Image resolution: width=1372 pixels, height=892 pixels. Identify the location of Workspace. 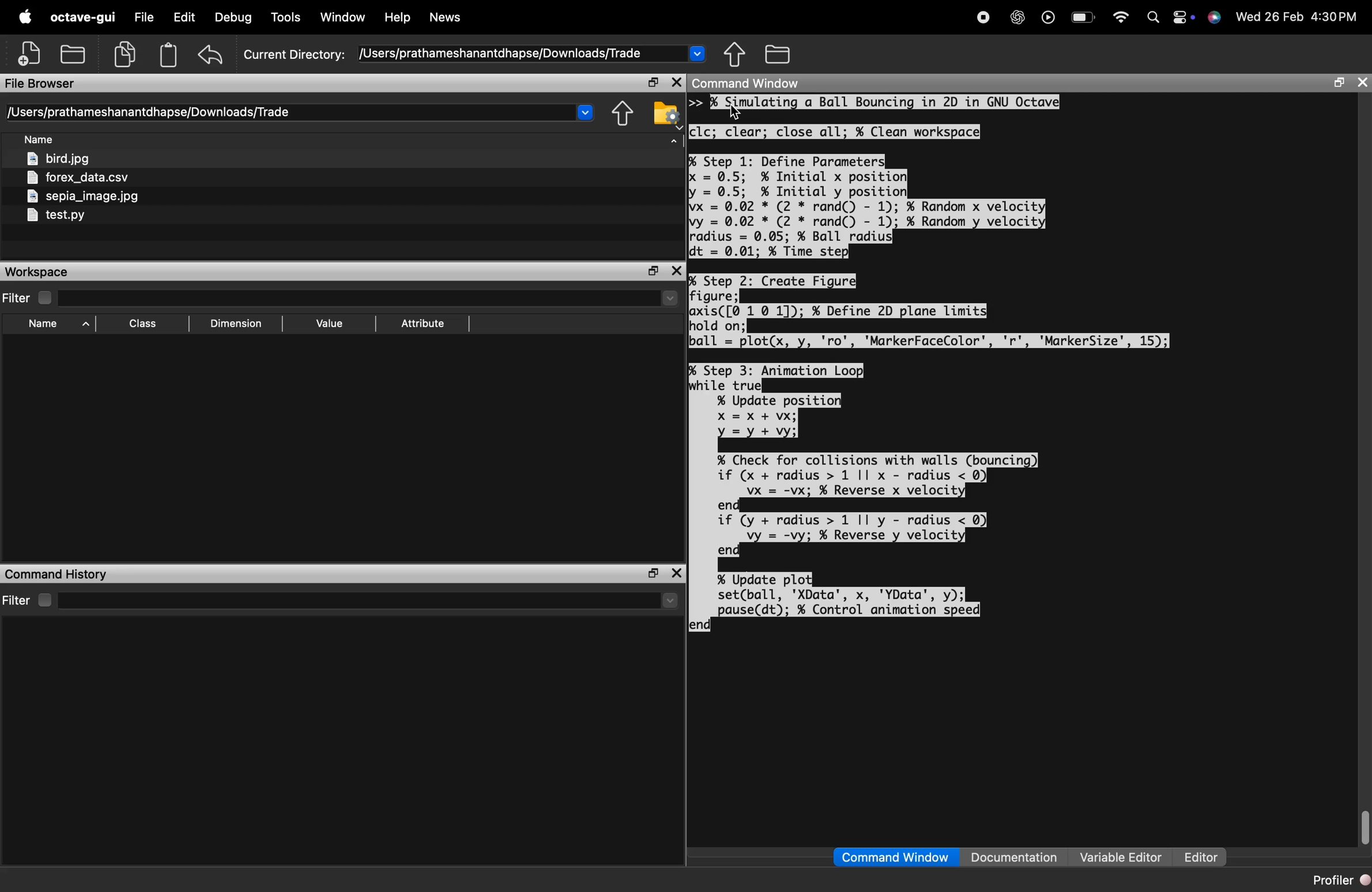
(37, 273).